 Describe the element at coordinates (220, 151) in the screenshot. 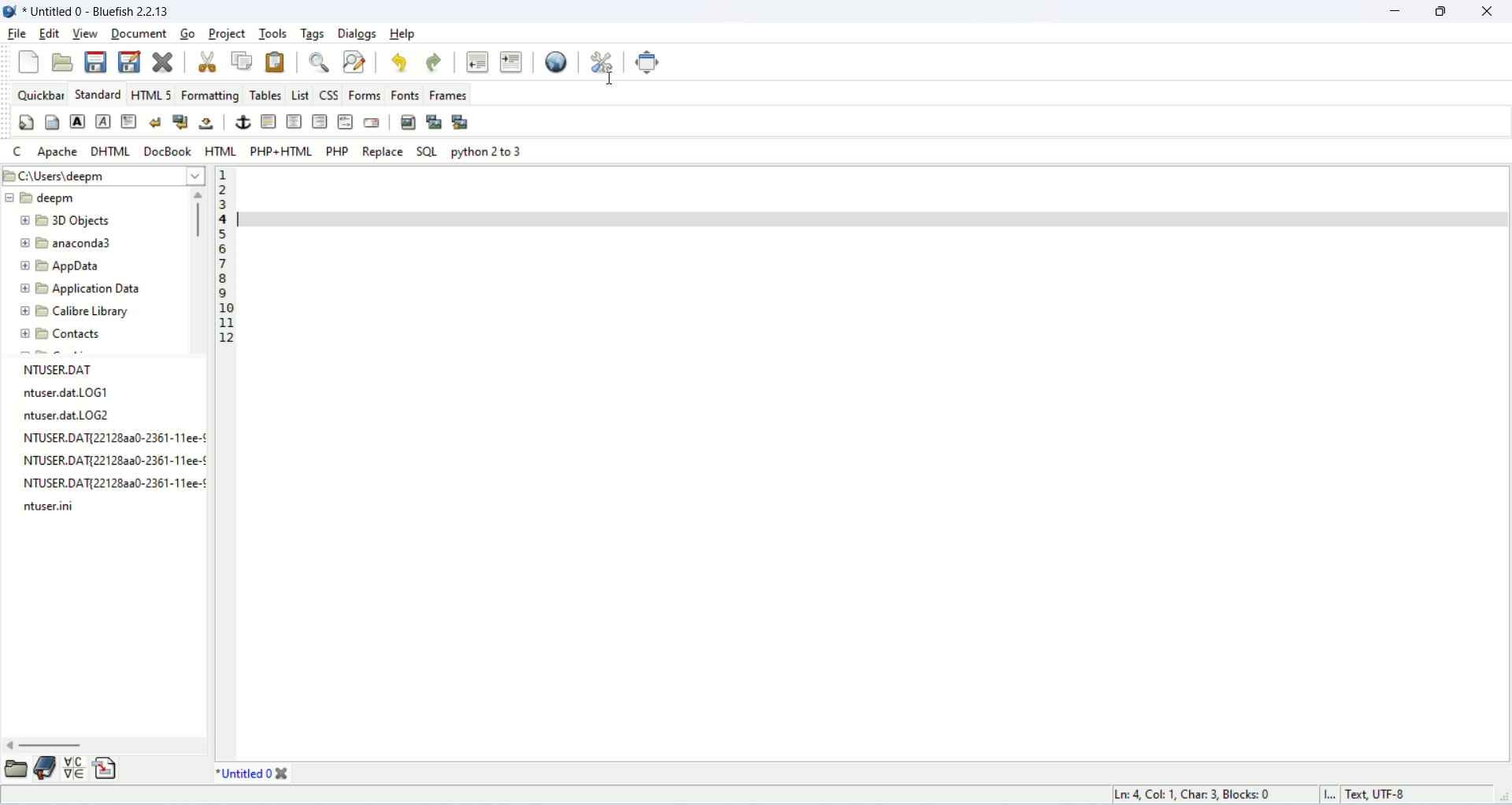

I see `HTML` at that location.